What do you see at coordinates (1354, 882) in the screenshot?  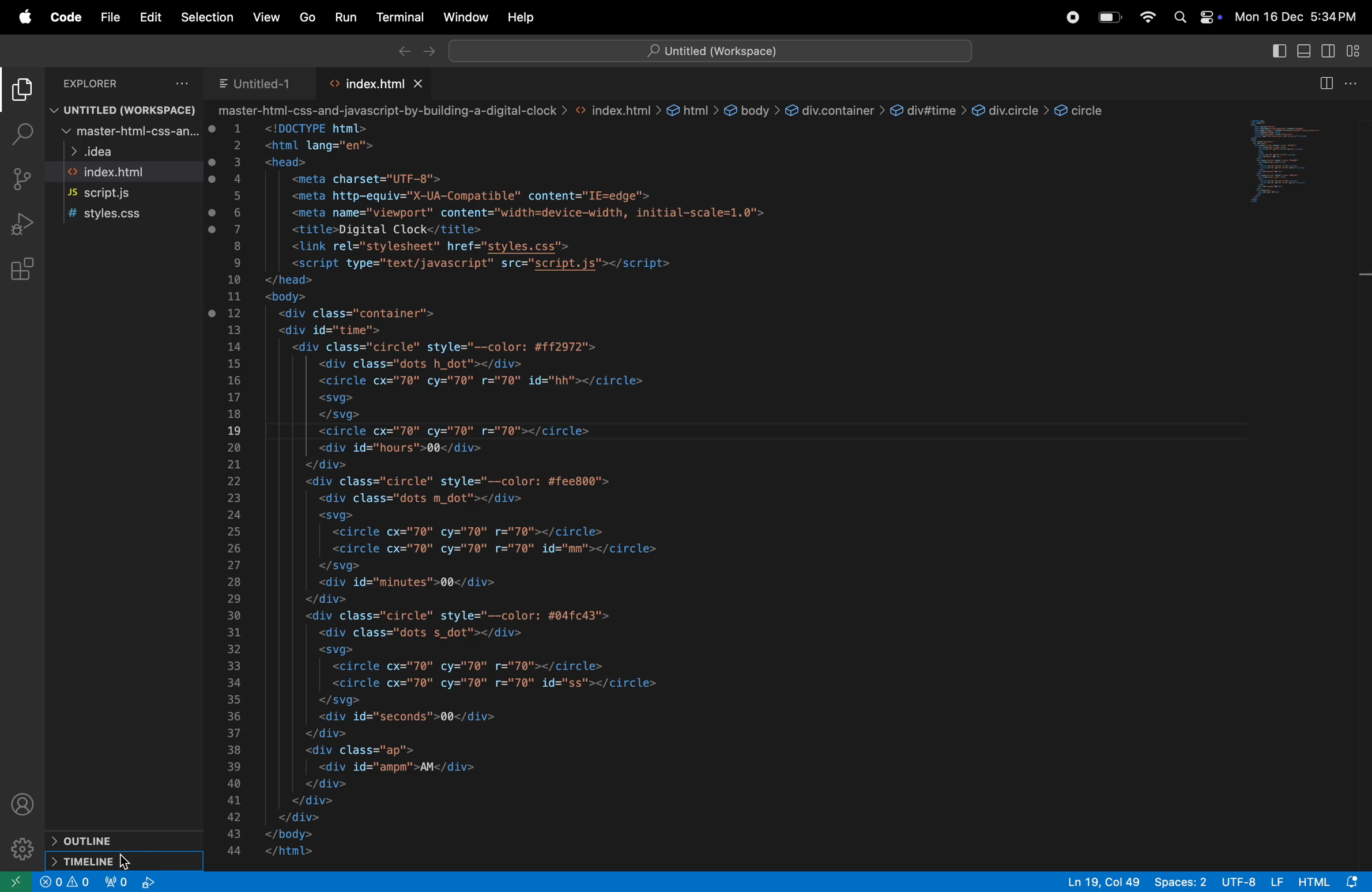 I see `notification` at bounding box center [1354, 882].